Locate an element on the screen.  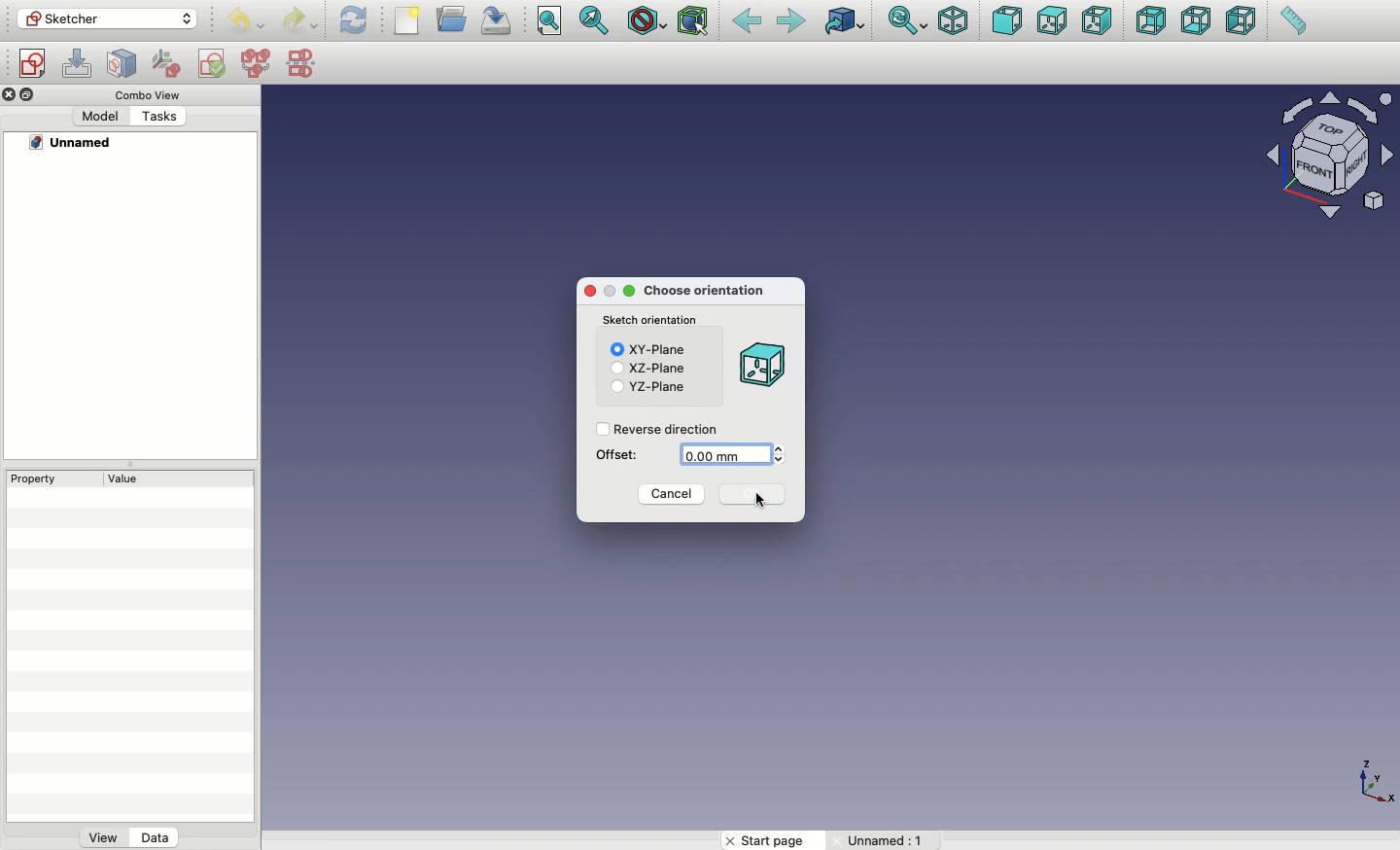
Isometric is located at coordinates (953, 20).